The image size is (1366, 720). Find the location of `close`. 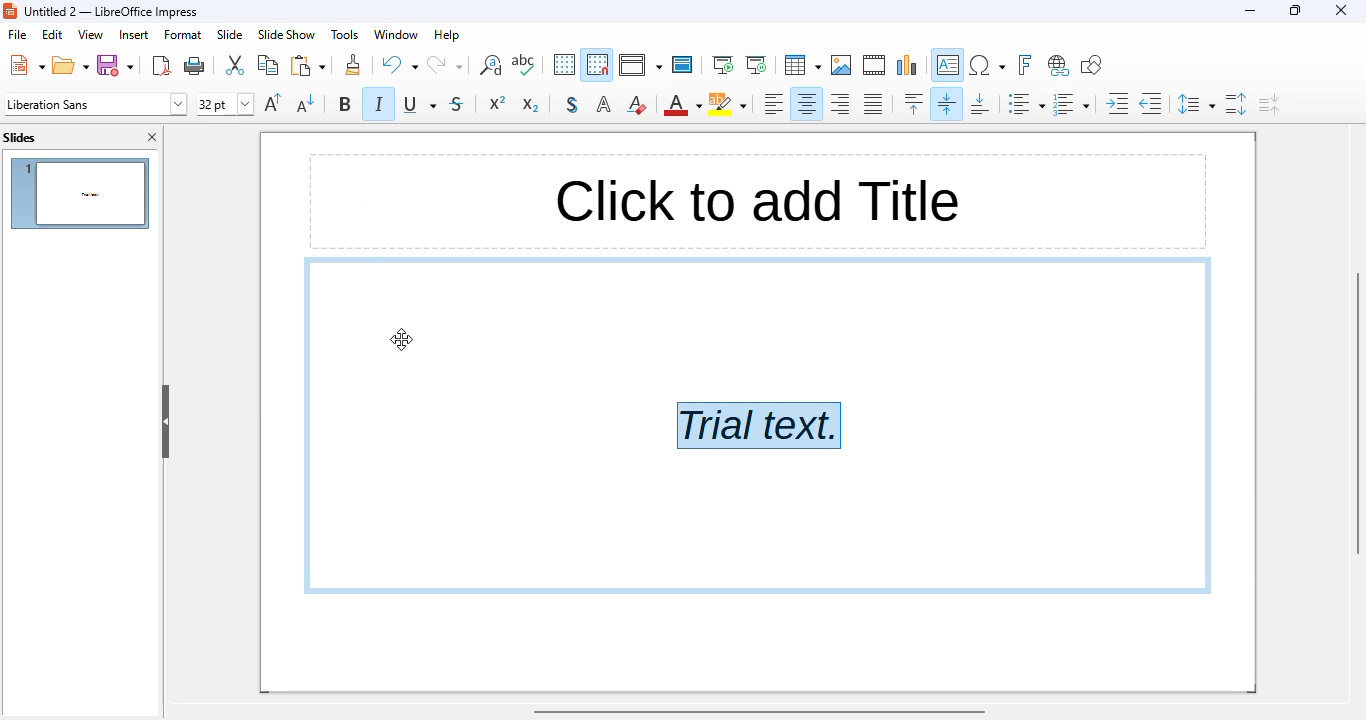

close is located at coordinates (1340, 10).